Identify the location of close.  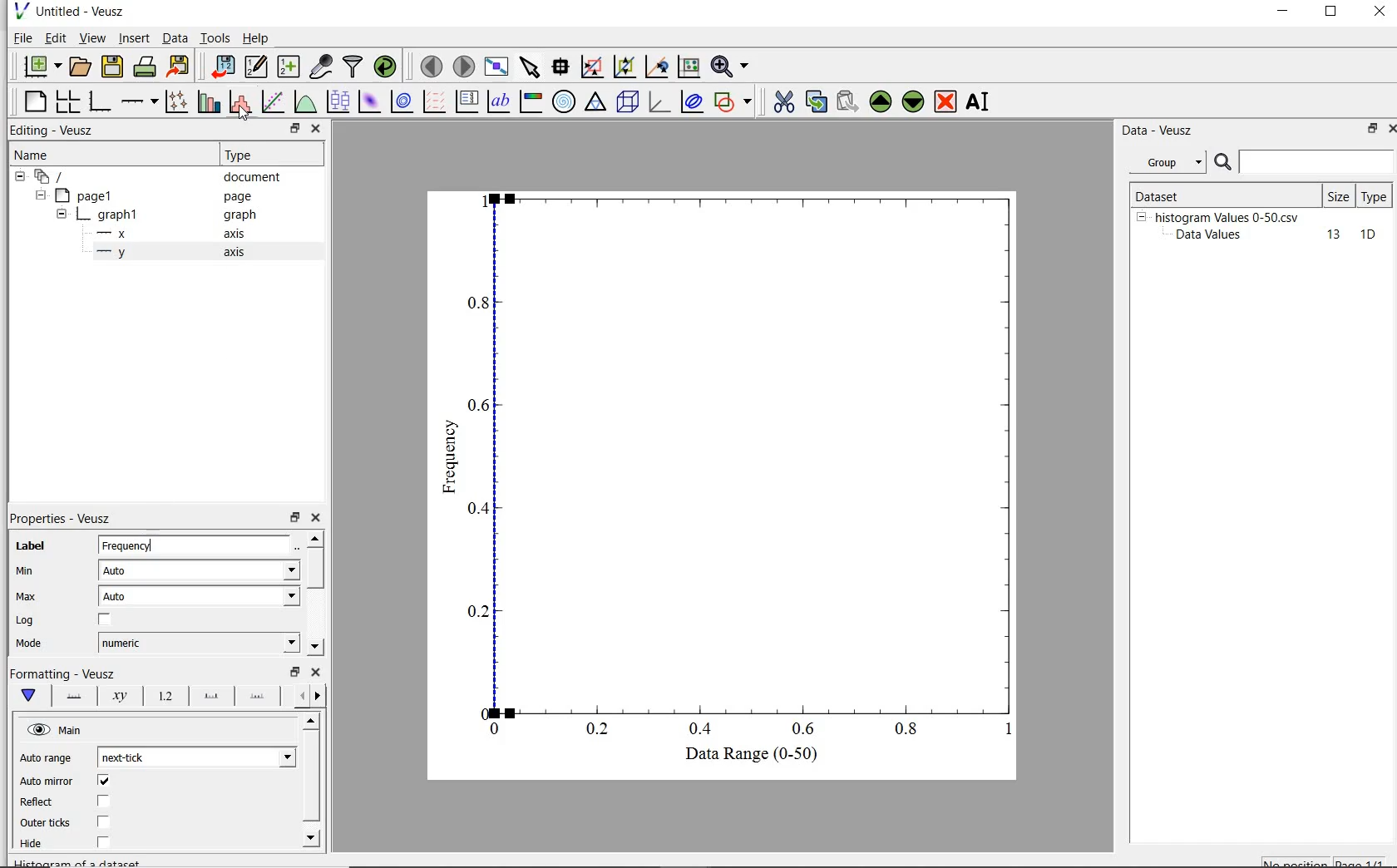
(319, 518).